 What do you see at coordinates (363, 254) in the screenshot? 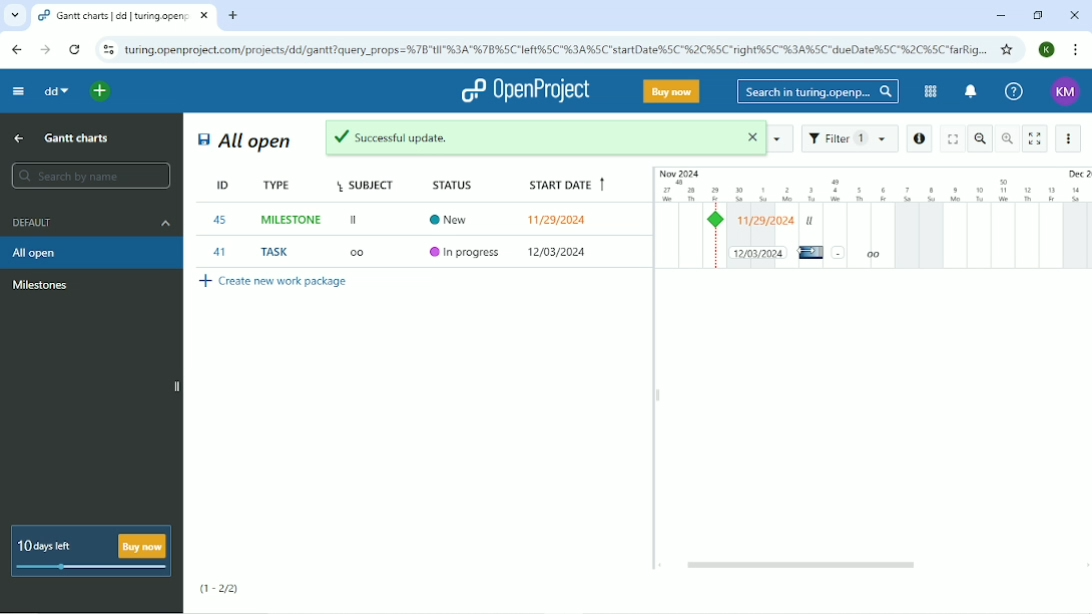
I see `OO` at bounding box center [363, 254].